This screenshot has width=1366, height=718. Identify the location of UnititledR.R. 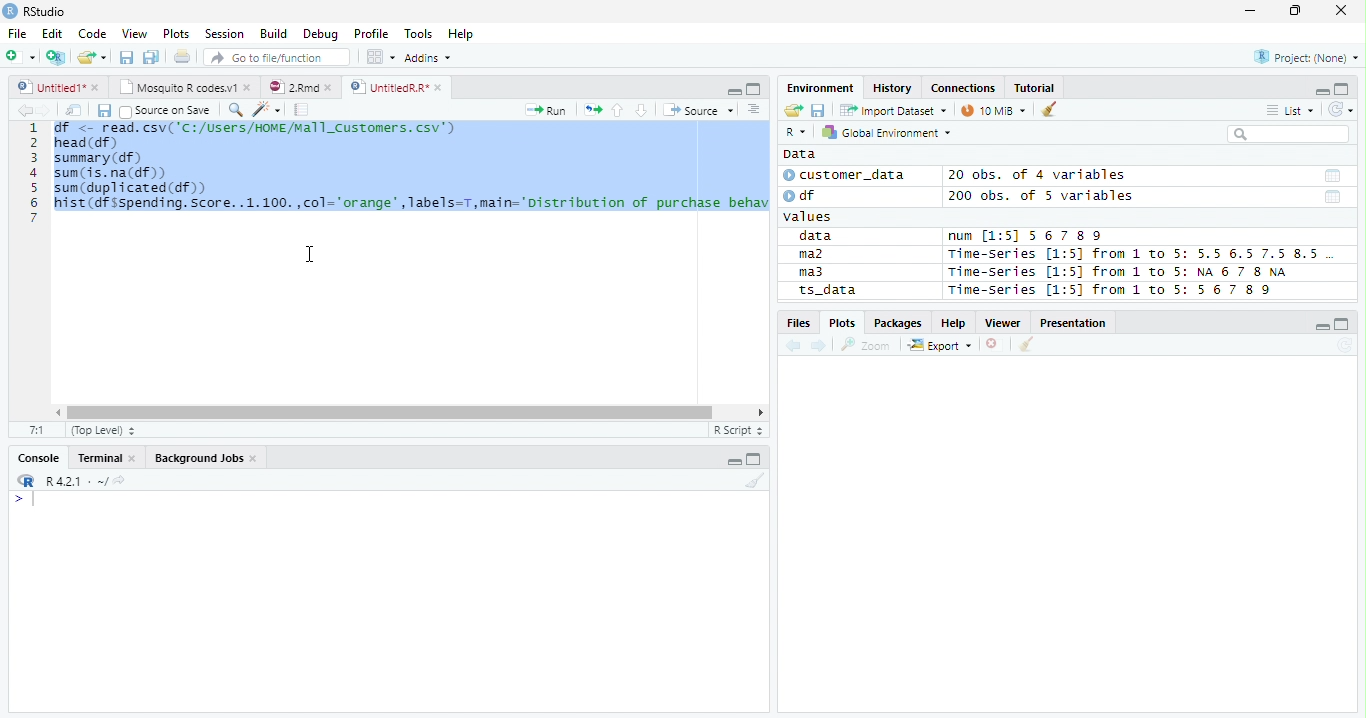
(398, 88).